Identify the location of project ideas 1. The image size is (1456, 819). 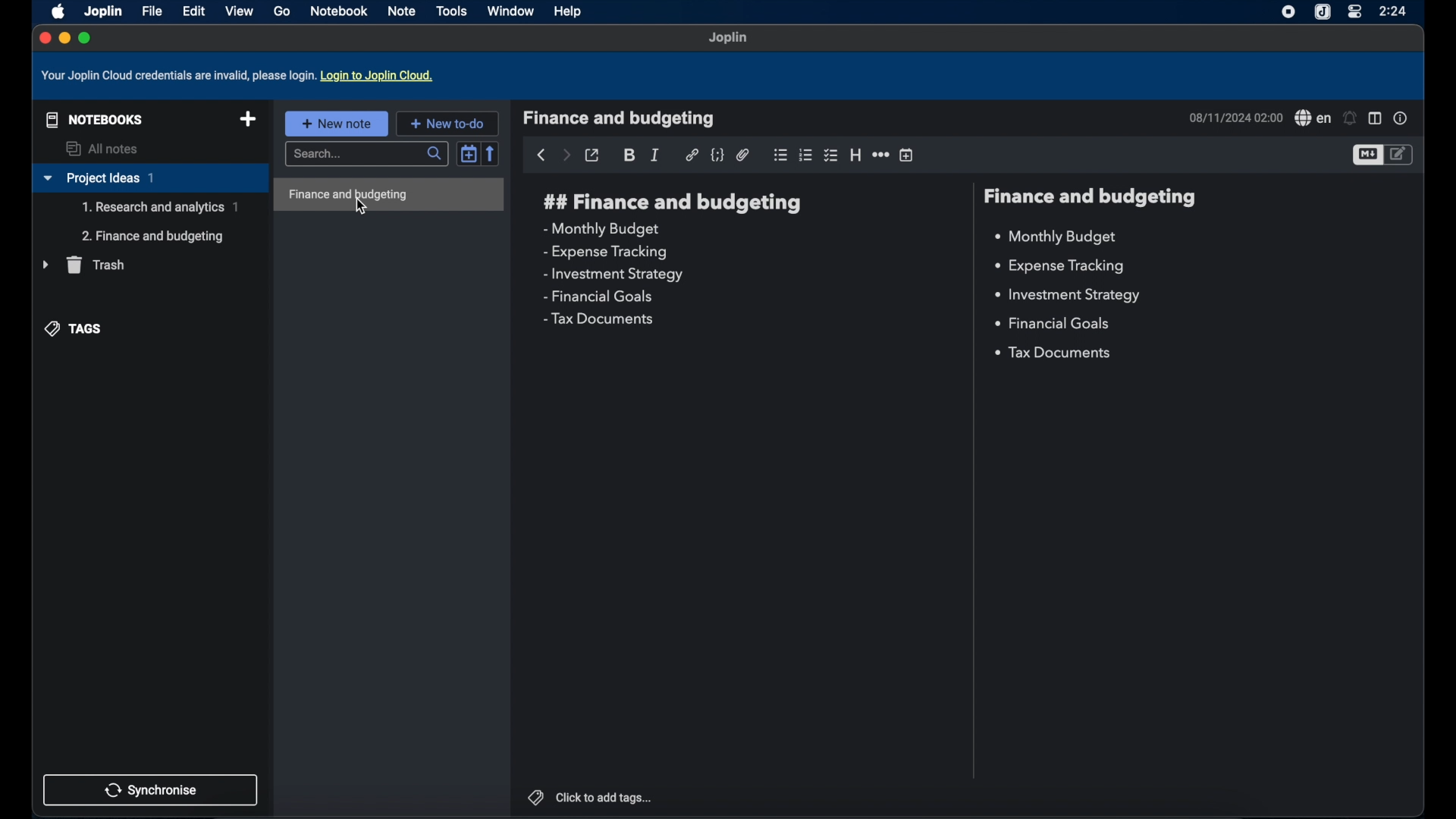
(149, 179).